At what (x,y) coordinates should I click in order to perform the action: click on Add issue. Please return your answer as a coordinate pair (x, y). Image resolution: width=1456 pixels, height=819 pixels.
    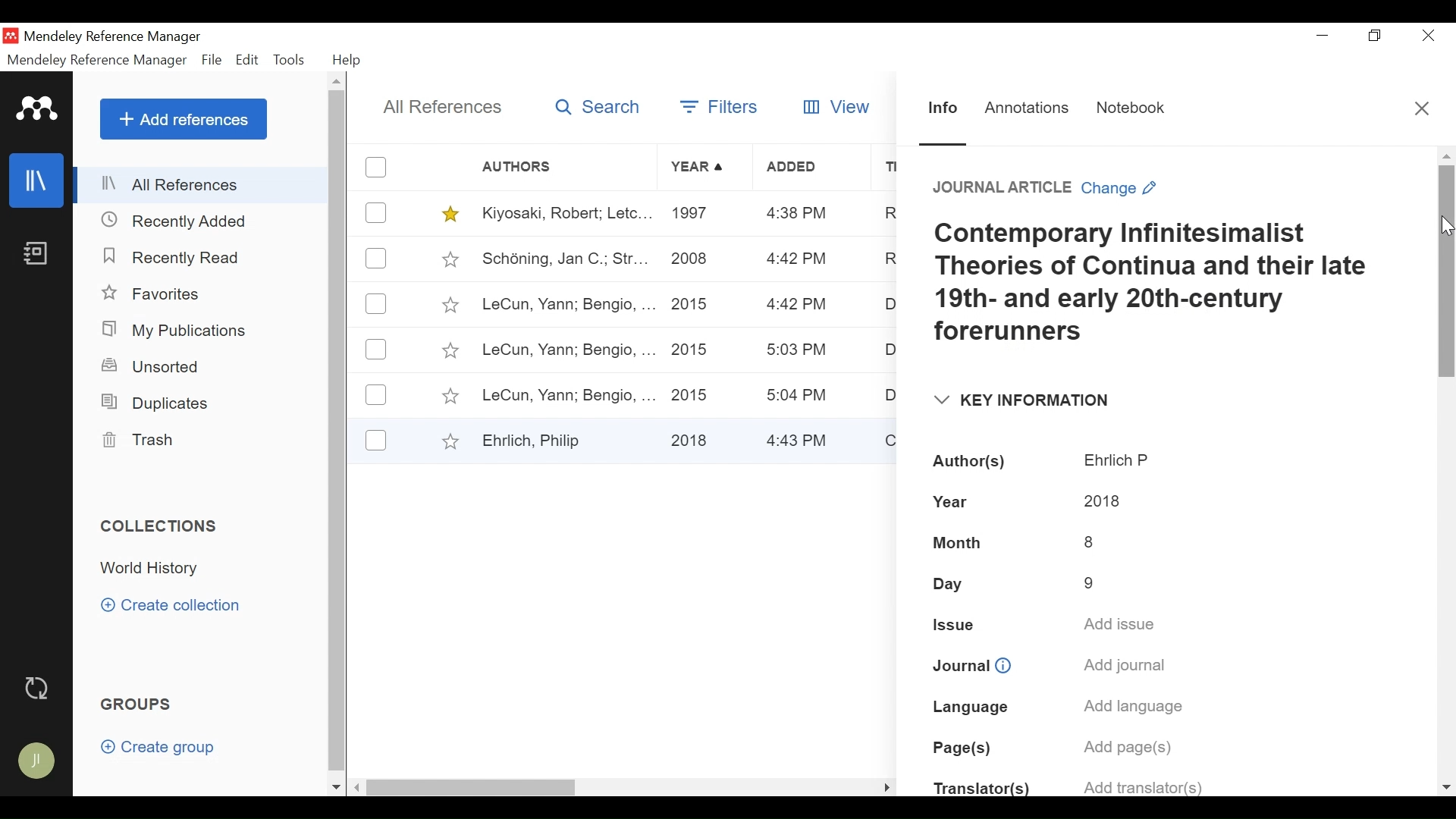
    Looking at the image, I should click on (1122, 625).